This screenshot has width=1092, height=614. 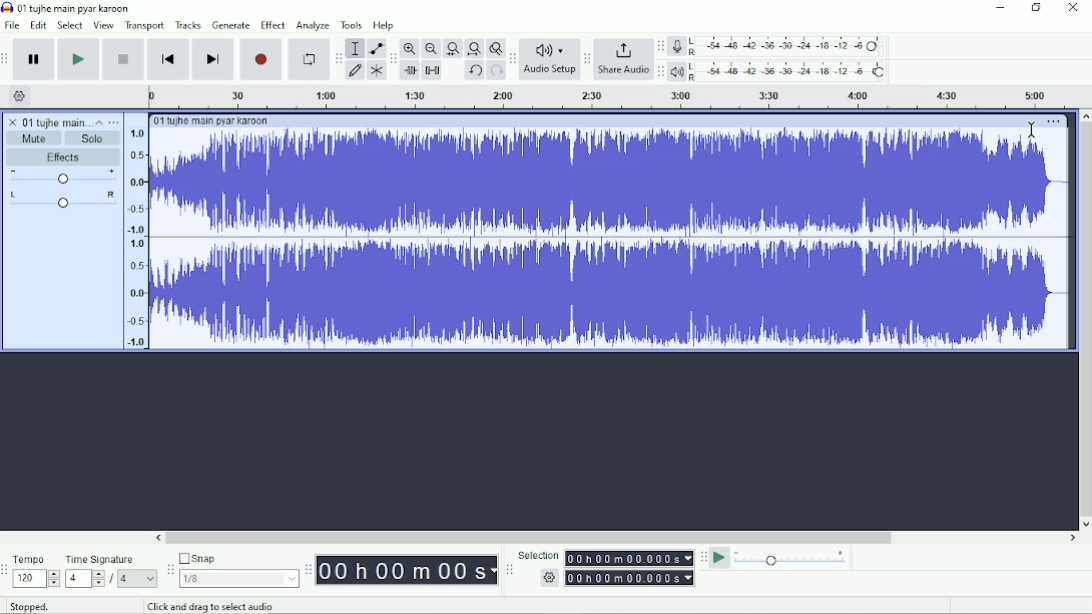 What do you see at coordinates (241, 578) in the screenshot?
I see `1/8` at bounding box center [241, 578].